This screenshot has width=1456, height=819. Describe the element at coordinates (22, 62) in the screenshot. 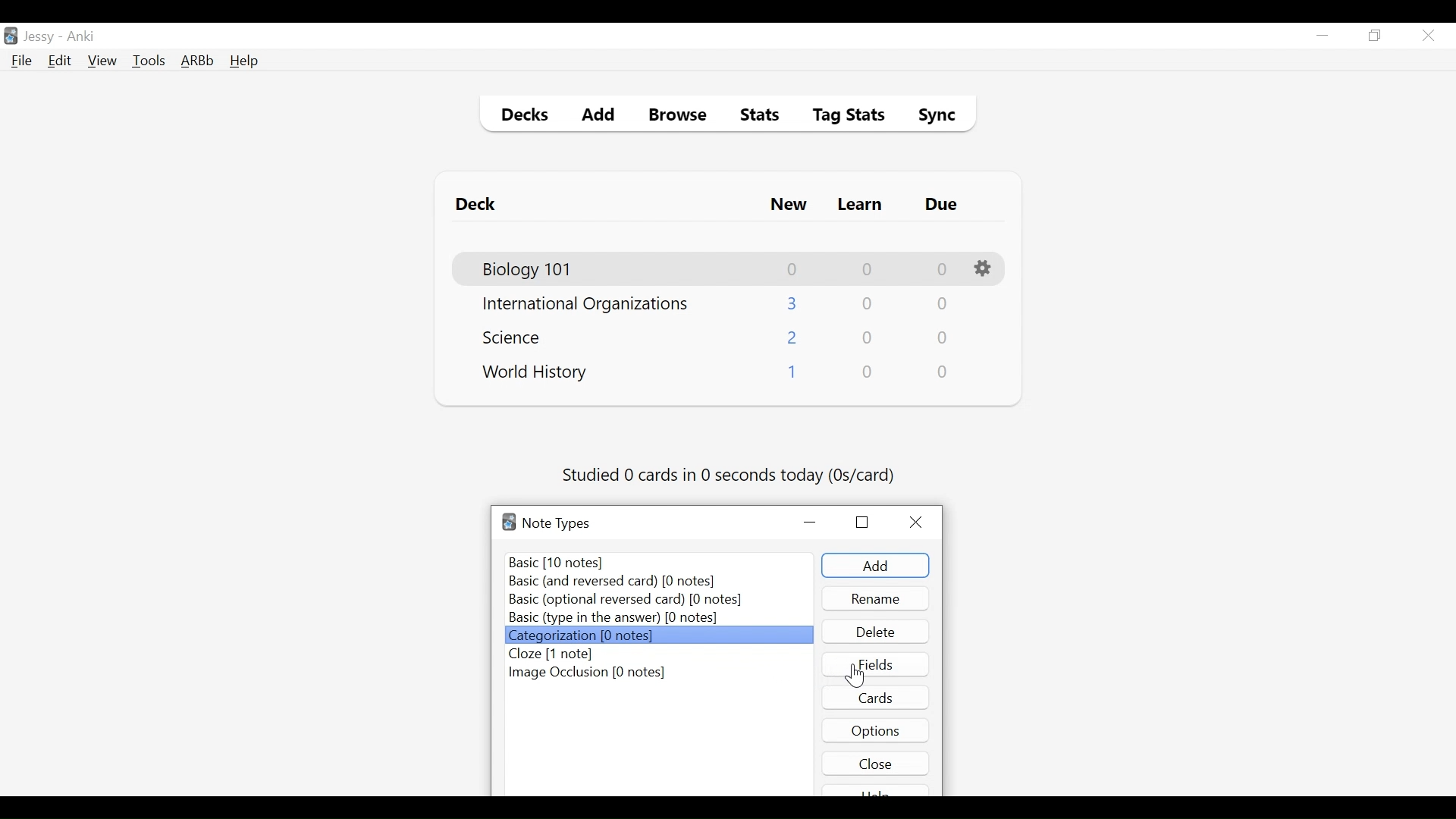

I see `File` at that location.